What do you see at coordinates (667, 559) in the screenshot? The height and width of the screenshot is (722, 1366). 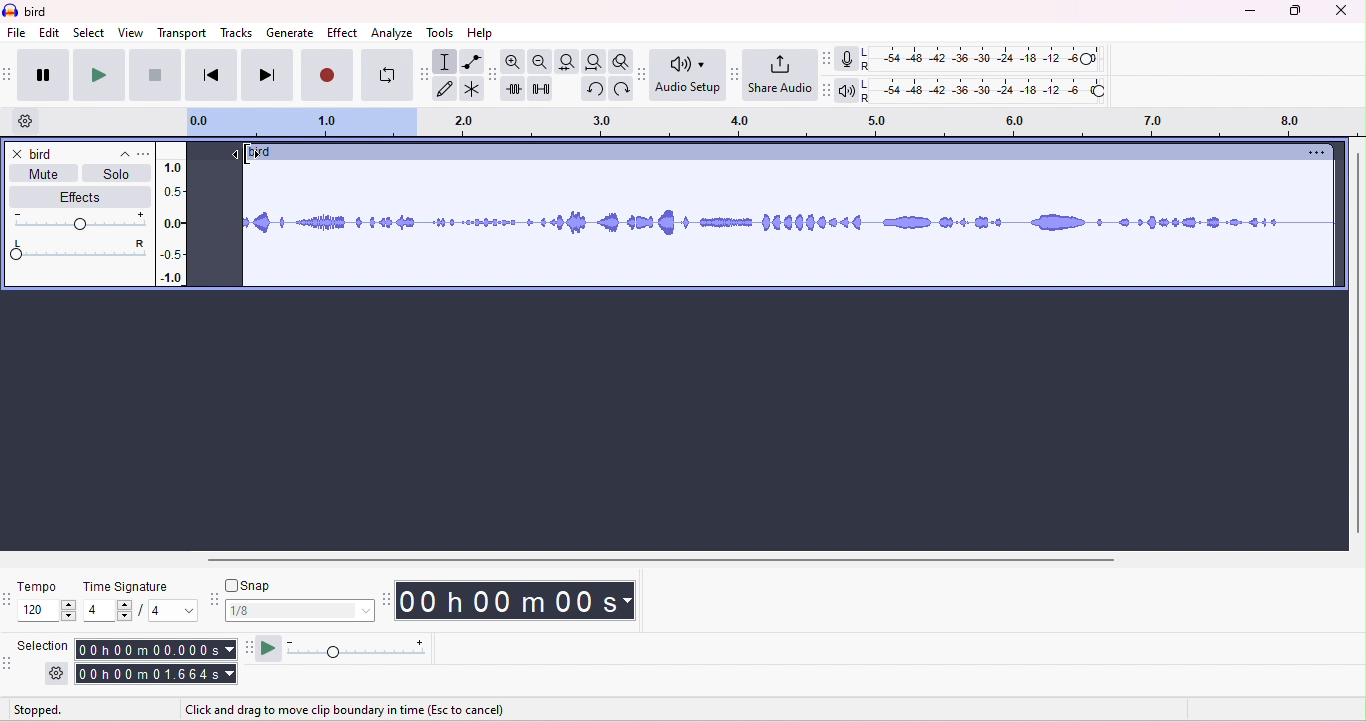 I see `horizontal scroll bar` at bounding box center [667, 559].